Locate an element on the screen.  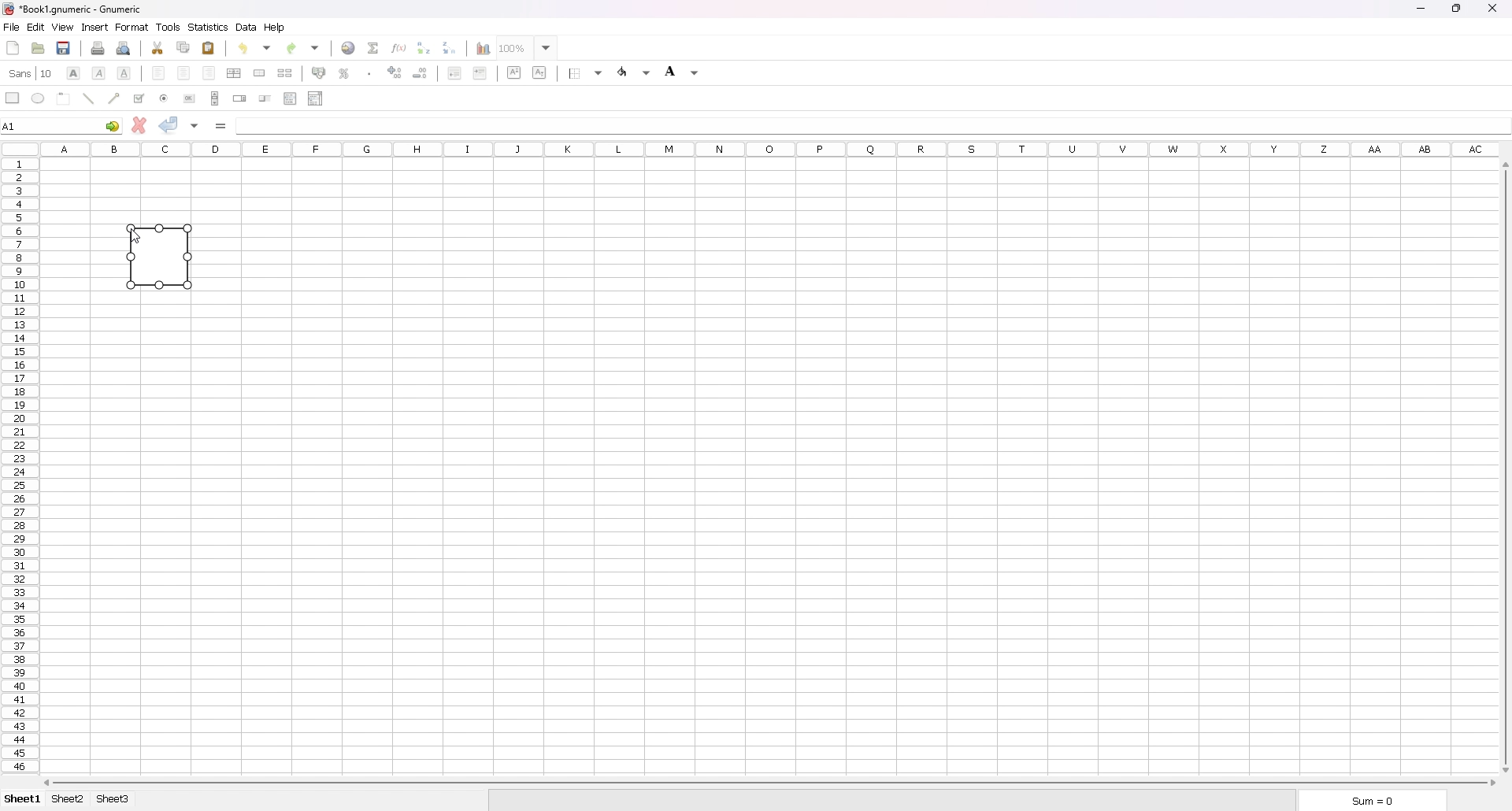
print is located at coordinates (98, 46).